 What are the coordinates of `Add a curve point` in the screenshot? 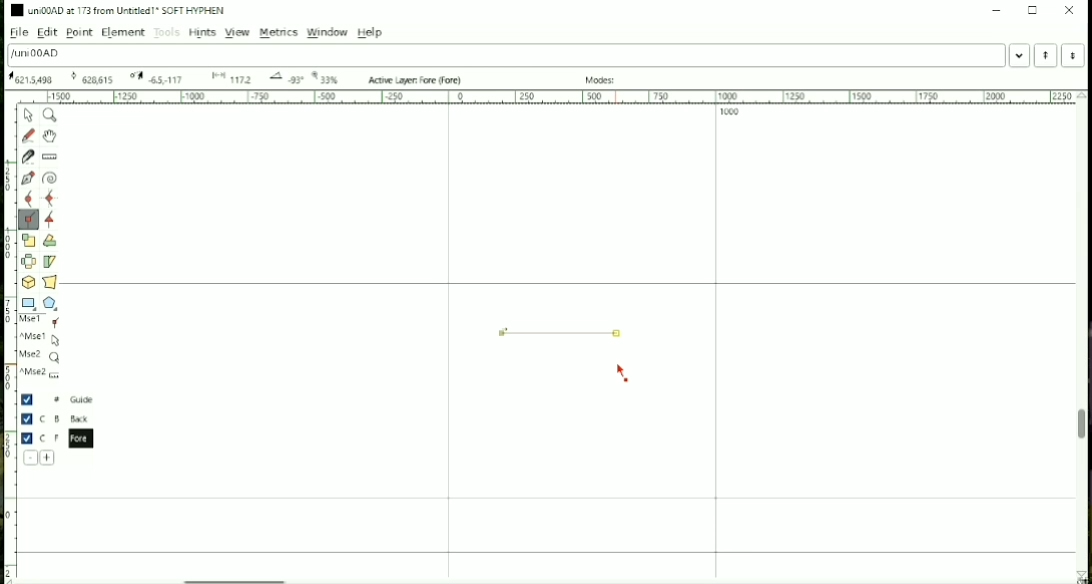 It's located at (28, 198).